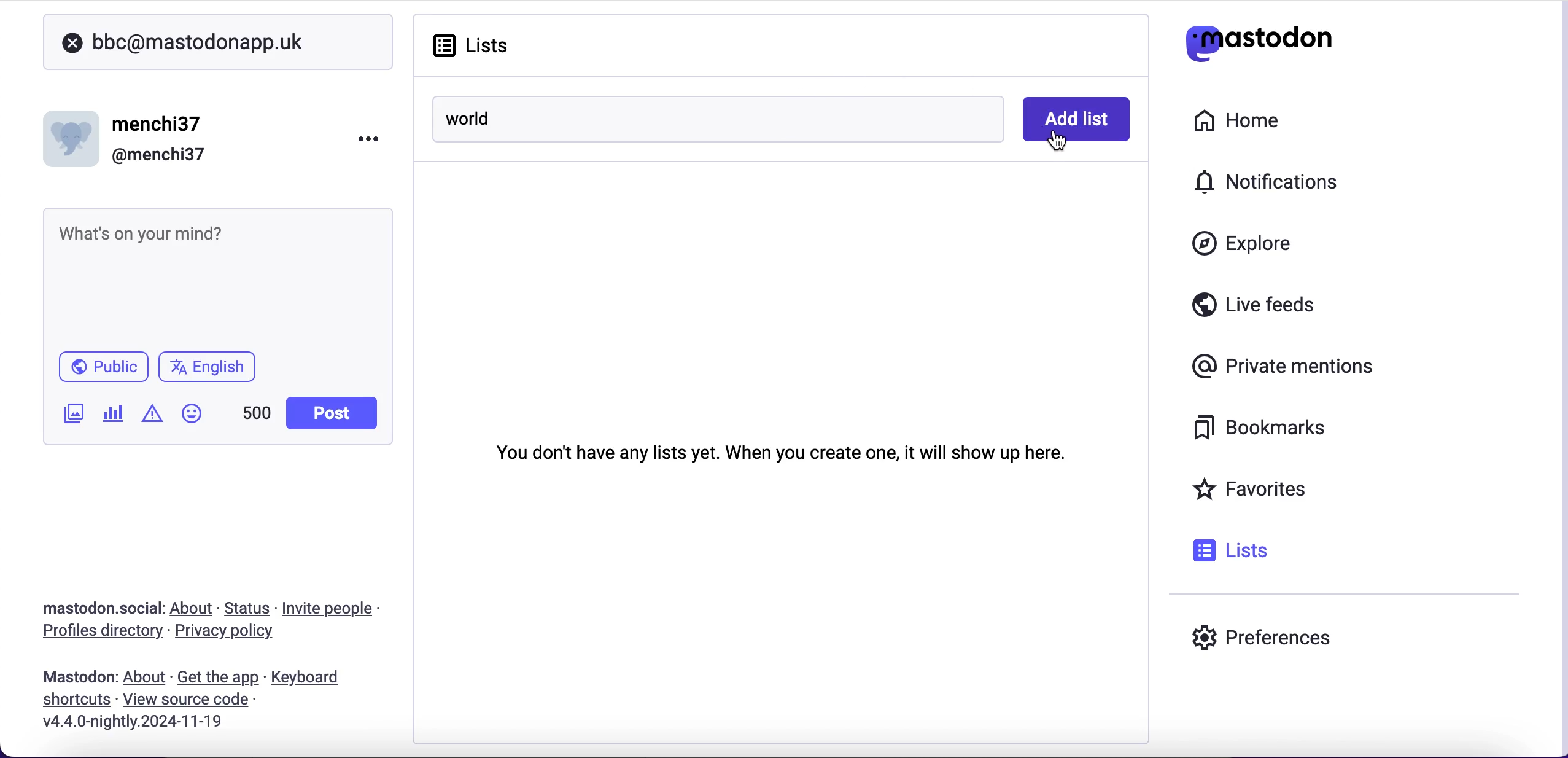 This screenshot has width=1568, height=758. Describe the element at coordinates (1263, 428) in the screenshot. I see `bookmarks` at that location.